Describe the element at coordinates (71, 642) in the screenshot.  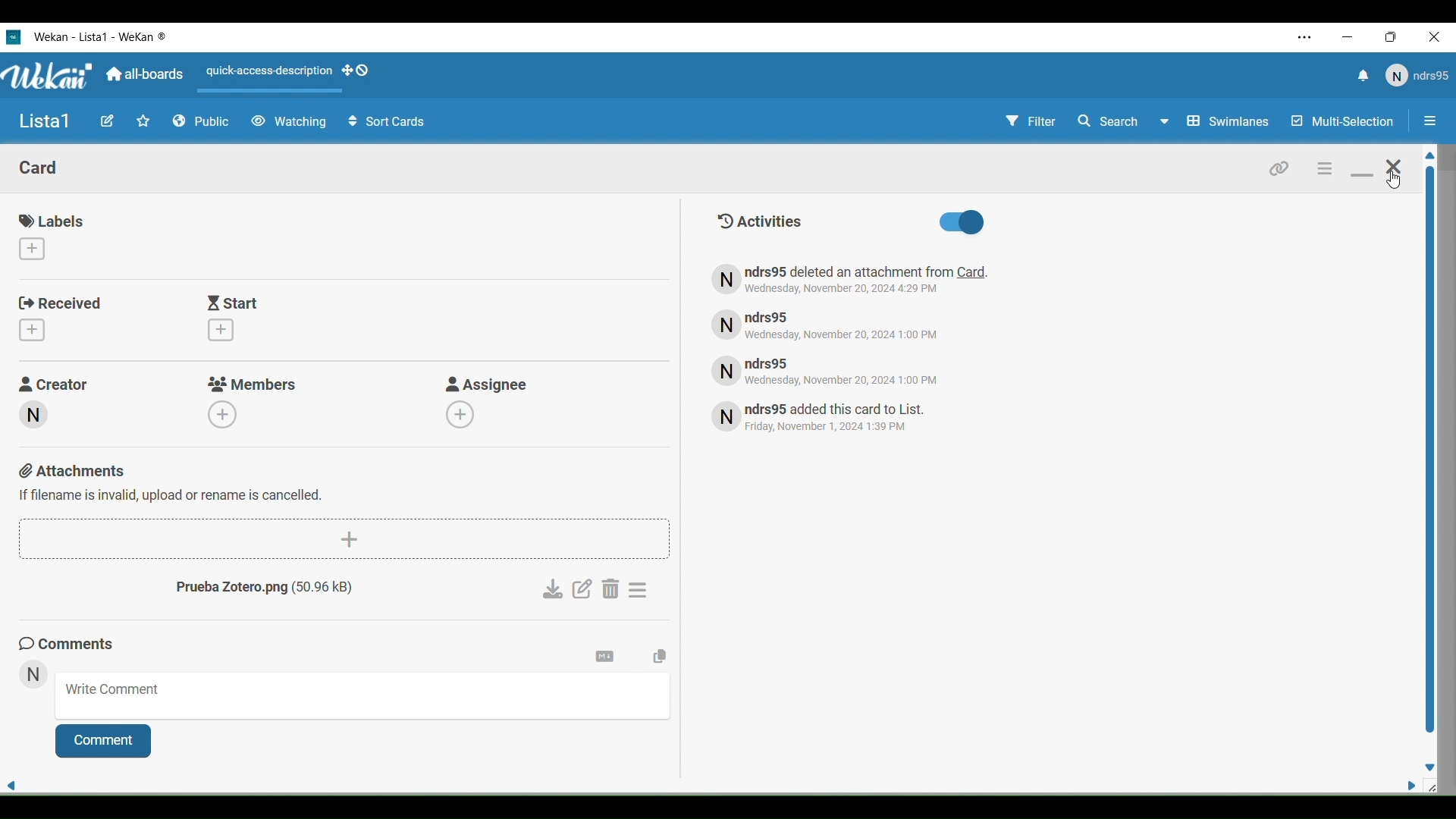
I see `Comments` at that location.